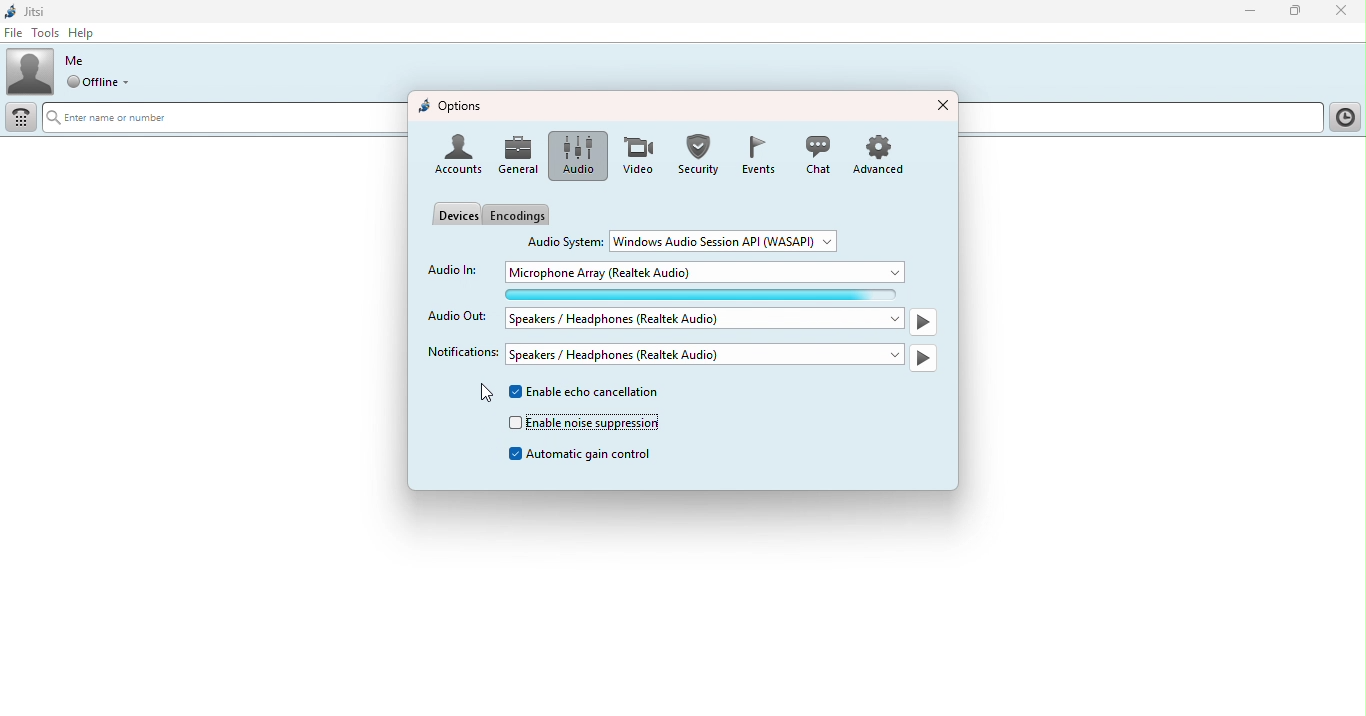 This screenshot has height=716, width=1366. I want to click on Notifications, so click(457, 352).